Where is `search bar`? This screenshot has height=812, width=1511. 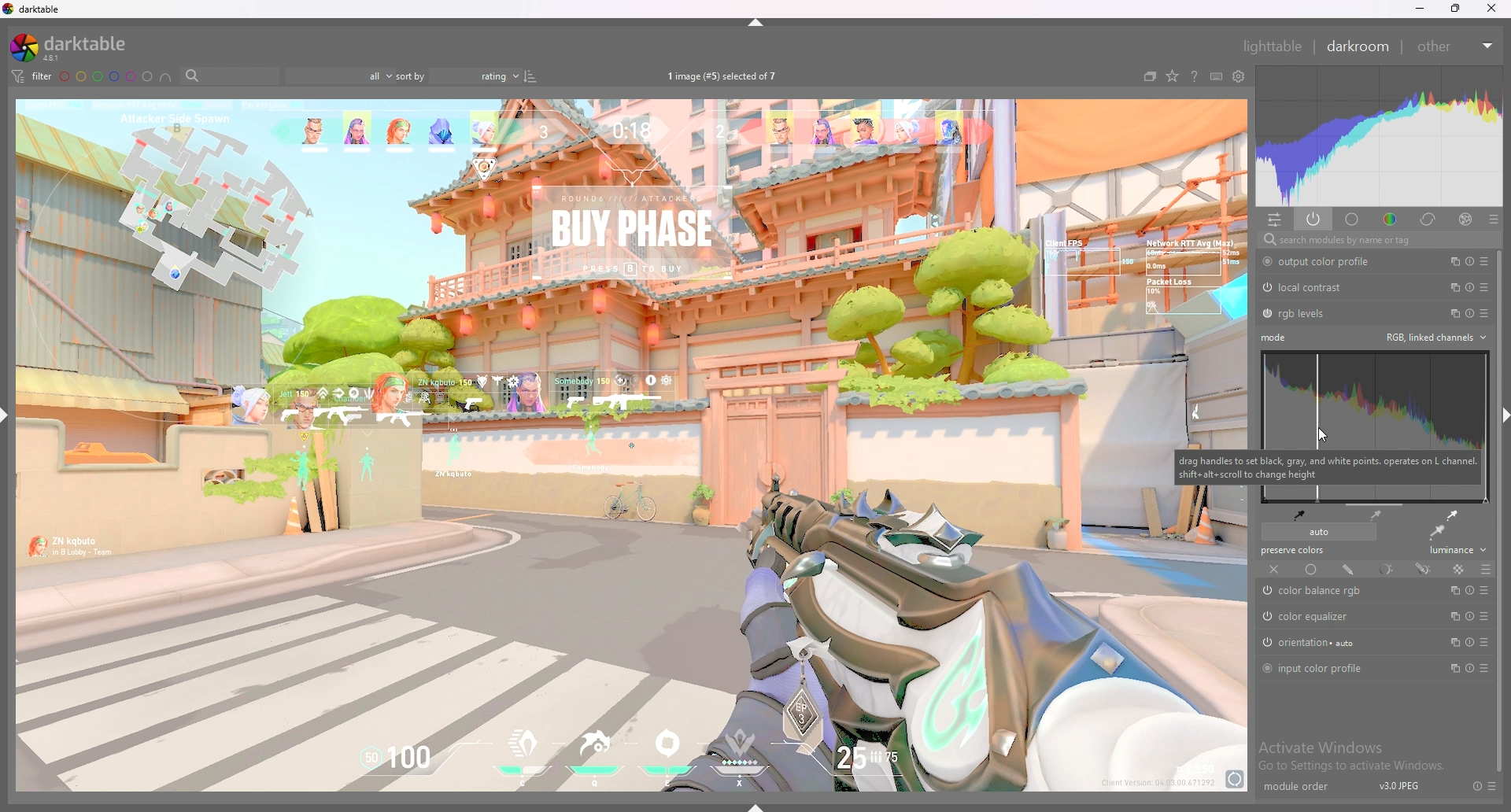 search bar is located at coordinates (225, 76).